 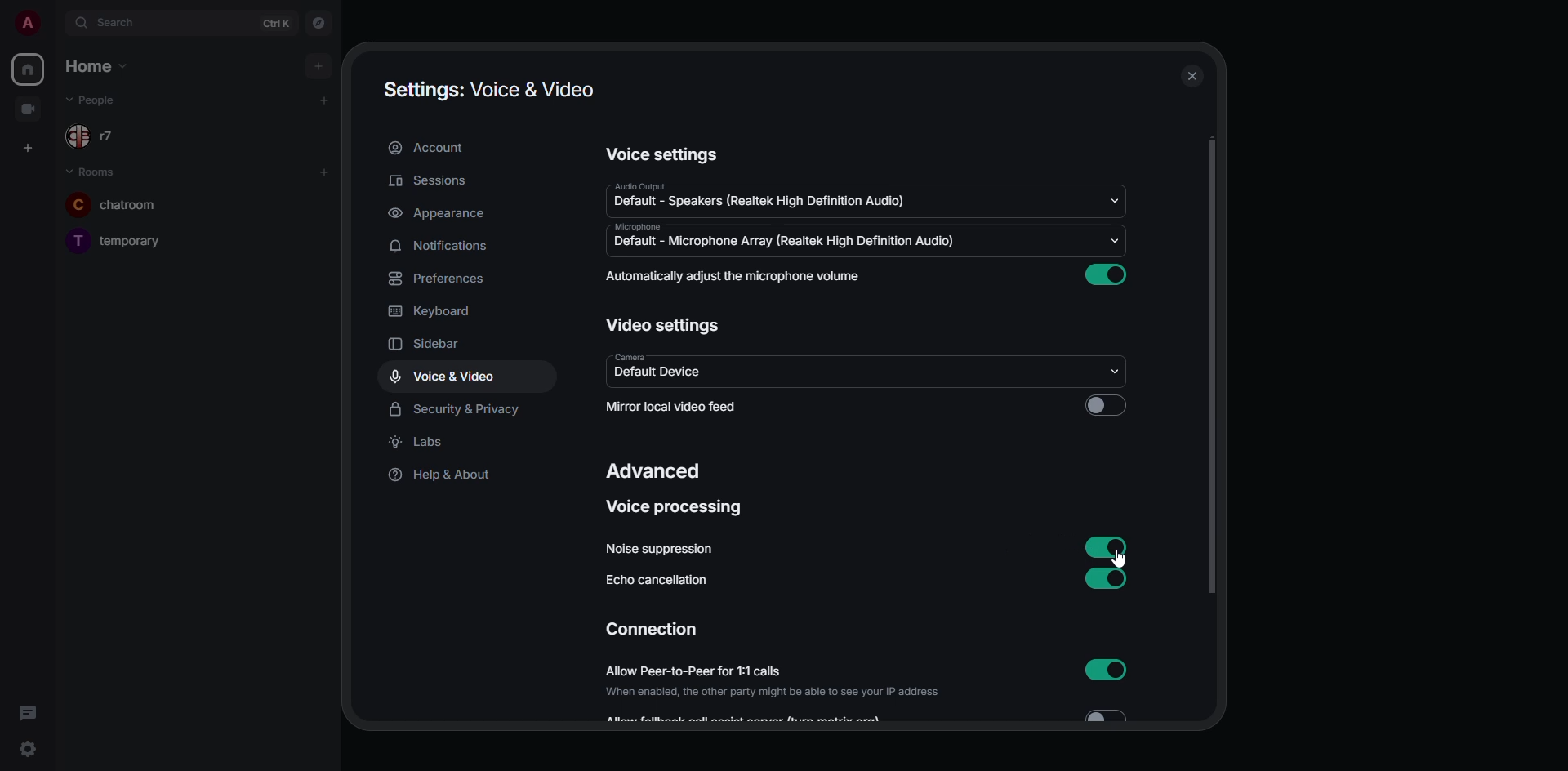 I want to click on temporary, so click(x=115, y=240).